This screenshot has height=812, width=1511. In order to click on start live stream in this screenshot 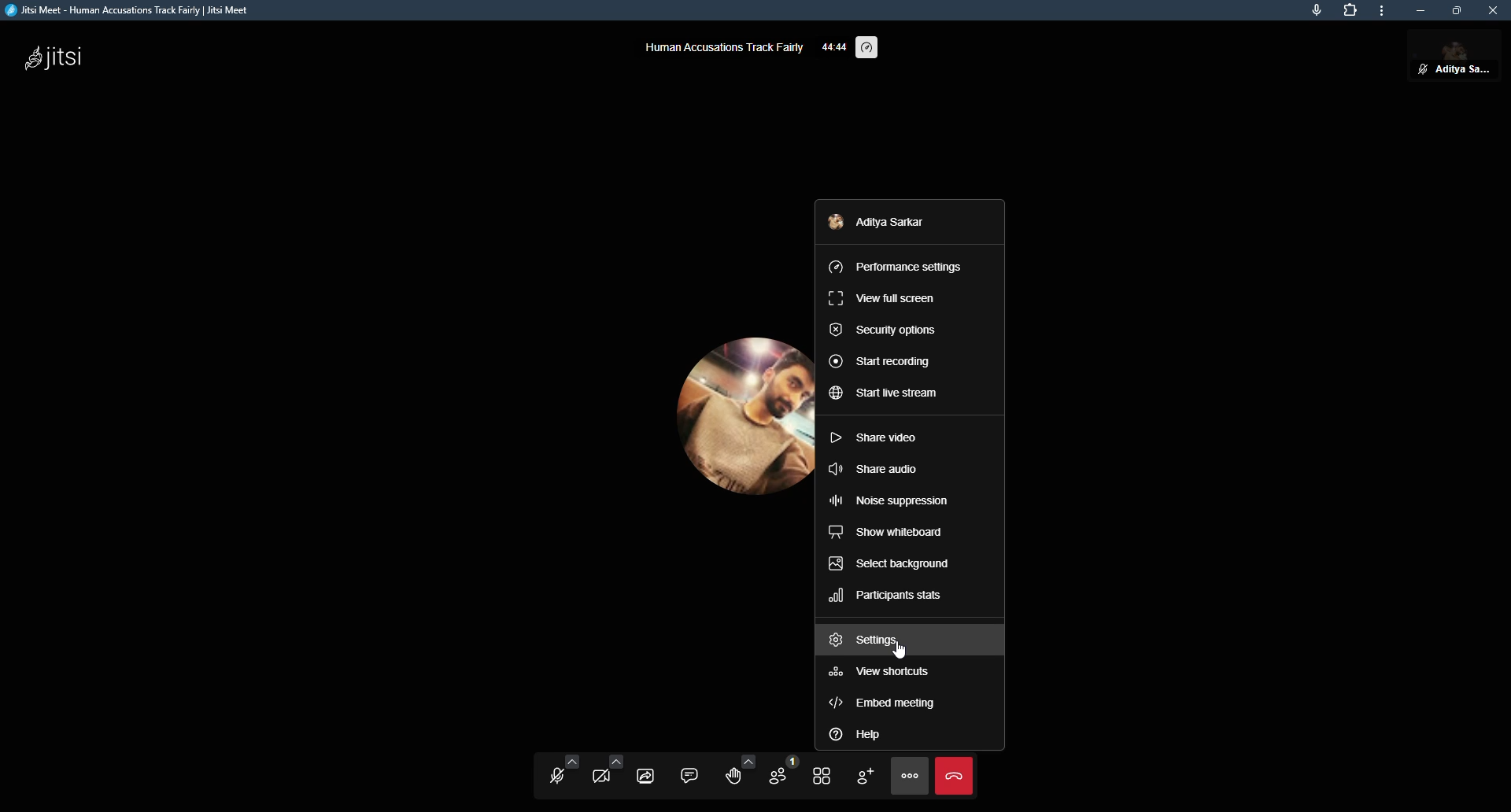, I will do `click(885, 394)`.